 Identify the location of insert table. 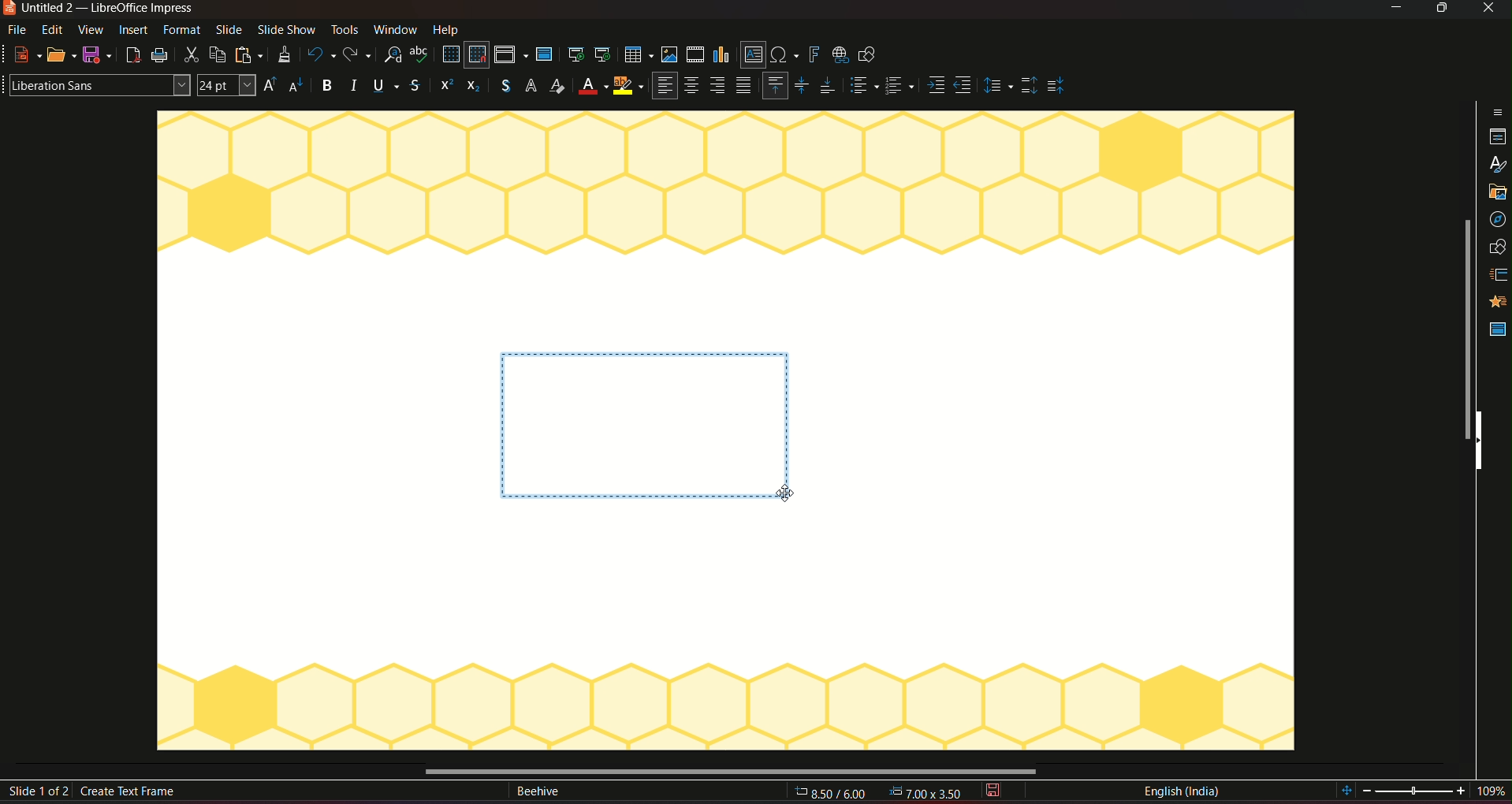
(636, 54).